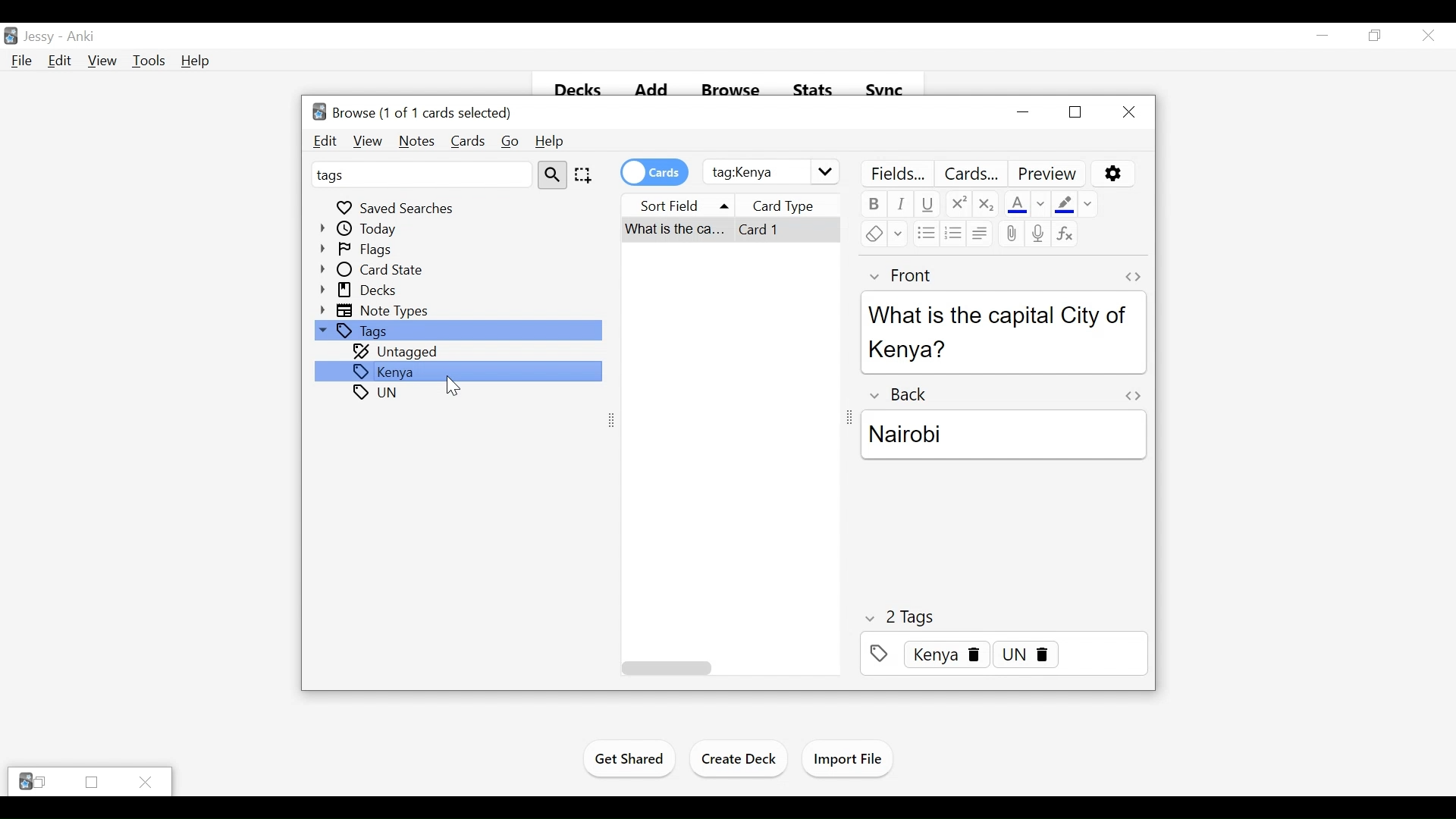 This screenshot has height=819, width=1456. Describe the element at coordinates (906, 275) in the screenshot. I see `Front` at that location.